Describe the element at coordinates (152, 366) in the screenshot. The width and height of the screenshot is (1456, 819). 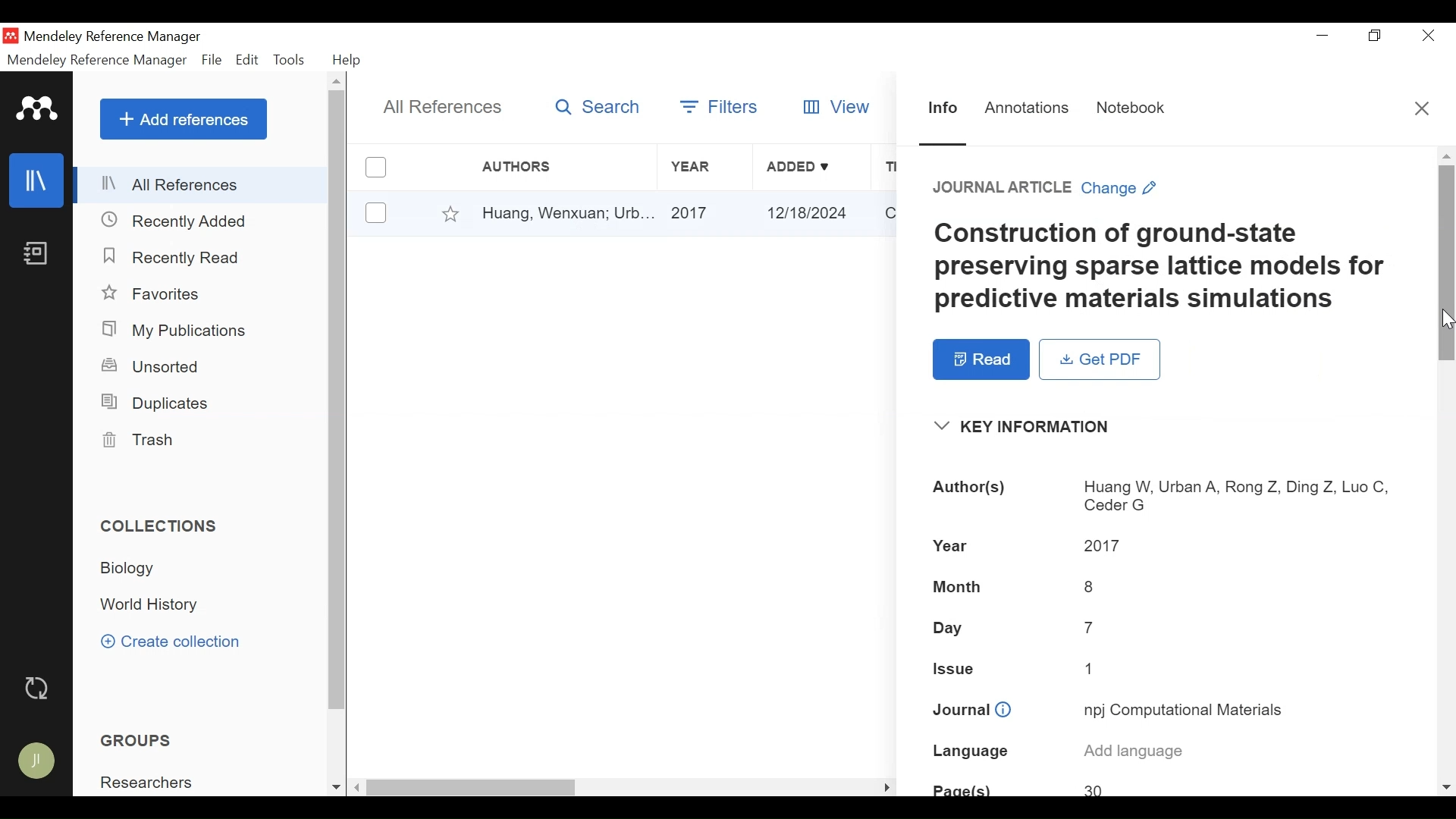
I see `Unsorted` at that location.